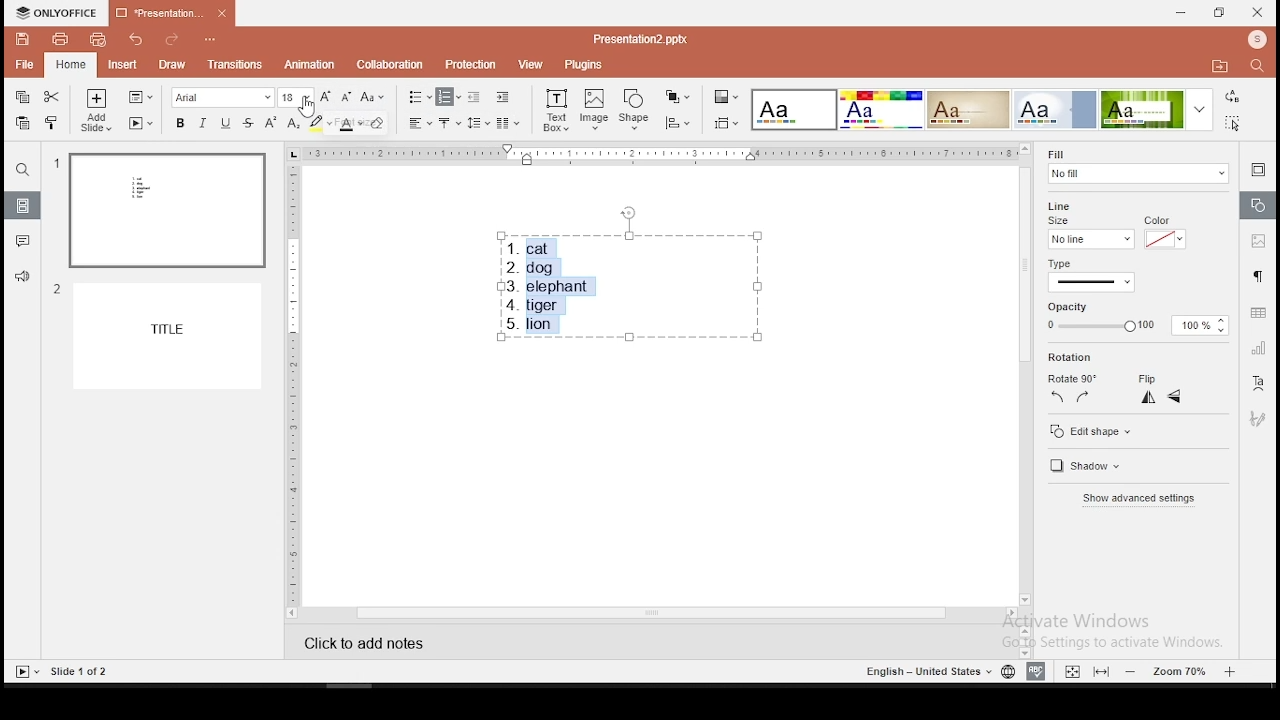 This screenshot has height=720, width=1280. What do you see at coordinates (377, 640) in the screenshot?
I see `click to add notes` at bounding box center [377, 640].